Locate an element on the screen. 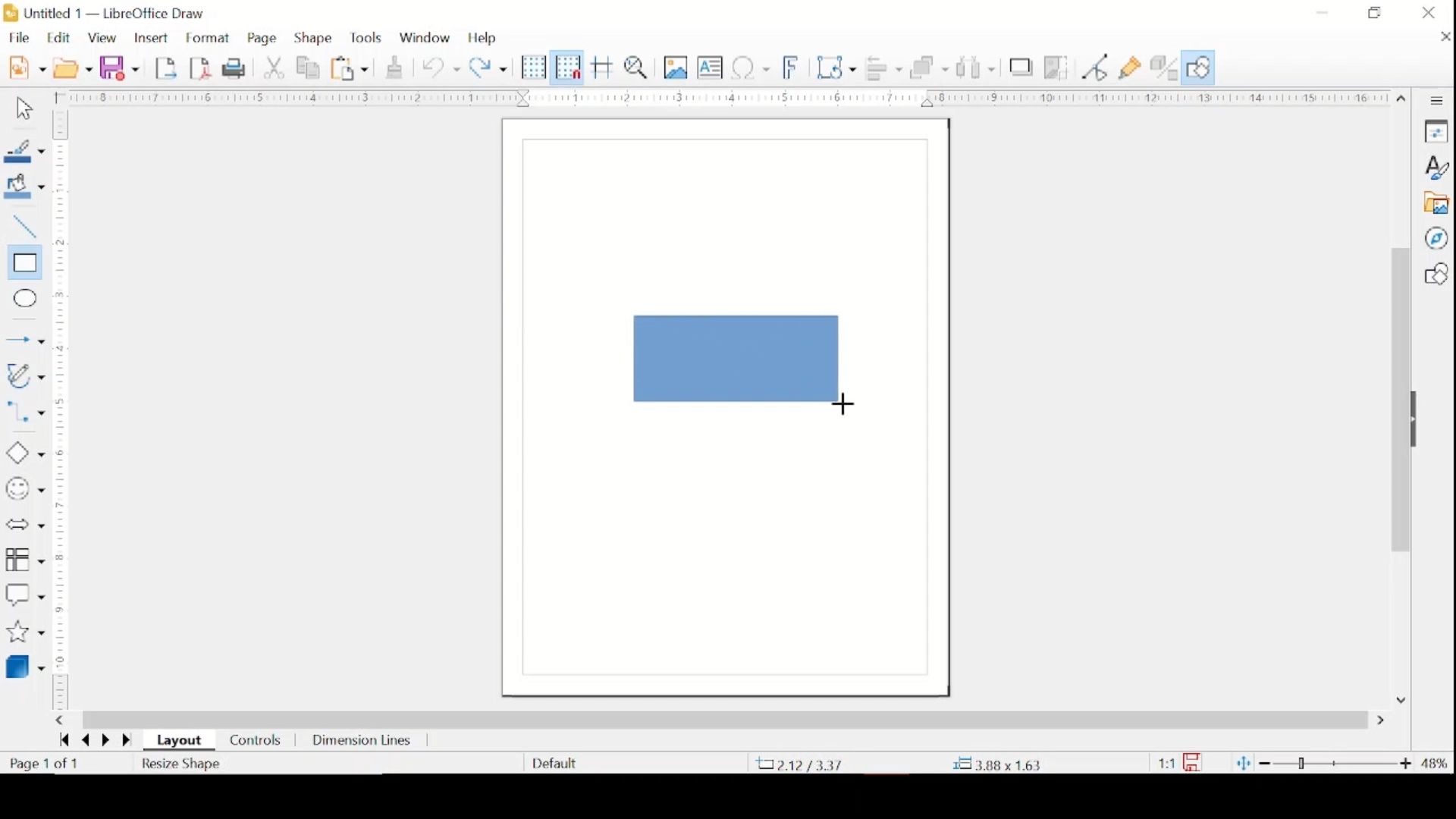 This screenshot has height=819, width=1456. shadow is located at coordinates (1021, 67).